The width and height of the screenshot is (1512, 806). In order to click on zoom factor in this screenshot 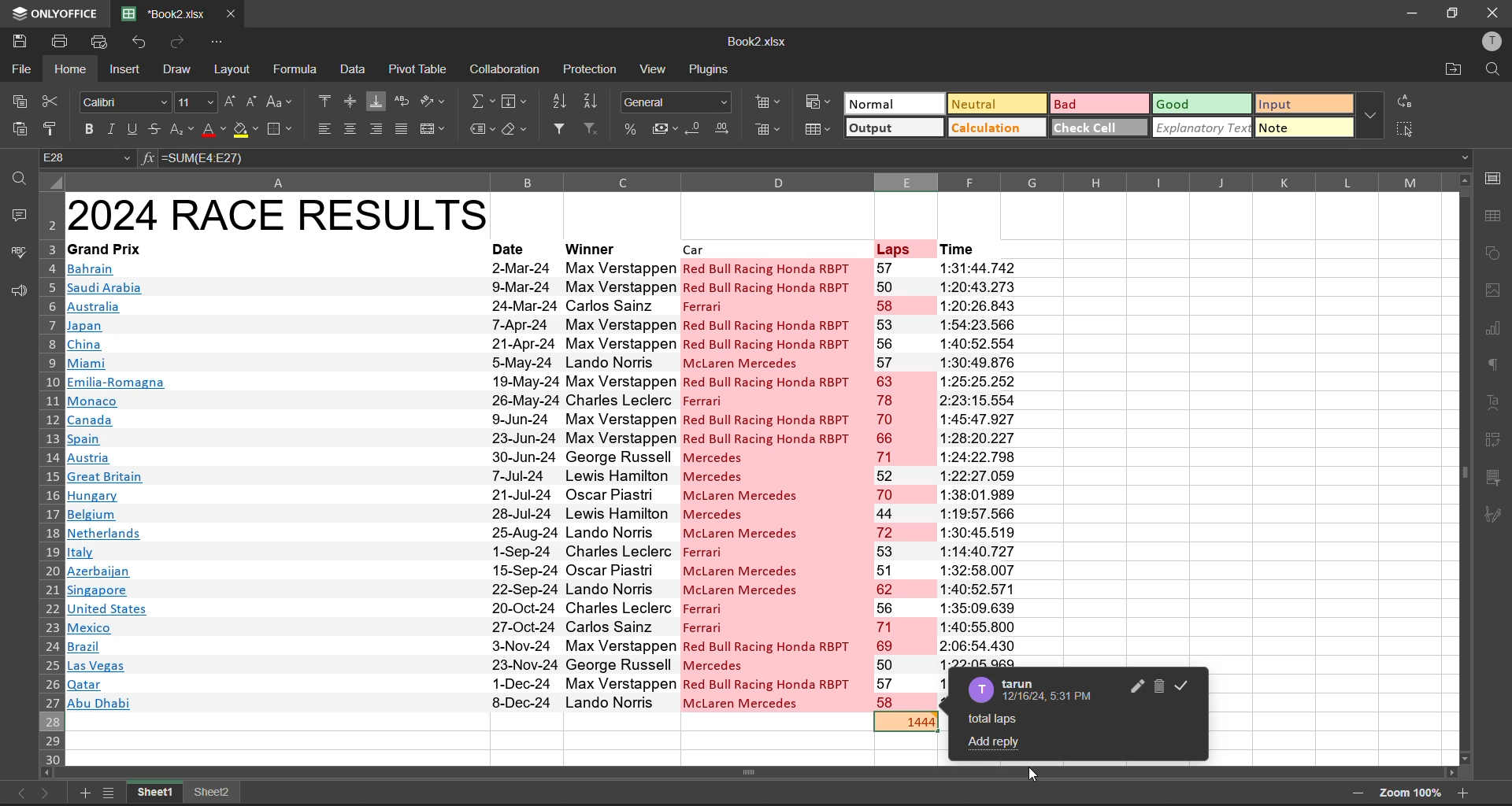, I will do `click(1409, 792)`.